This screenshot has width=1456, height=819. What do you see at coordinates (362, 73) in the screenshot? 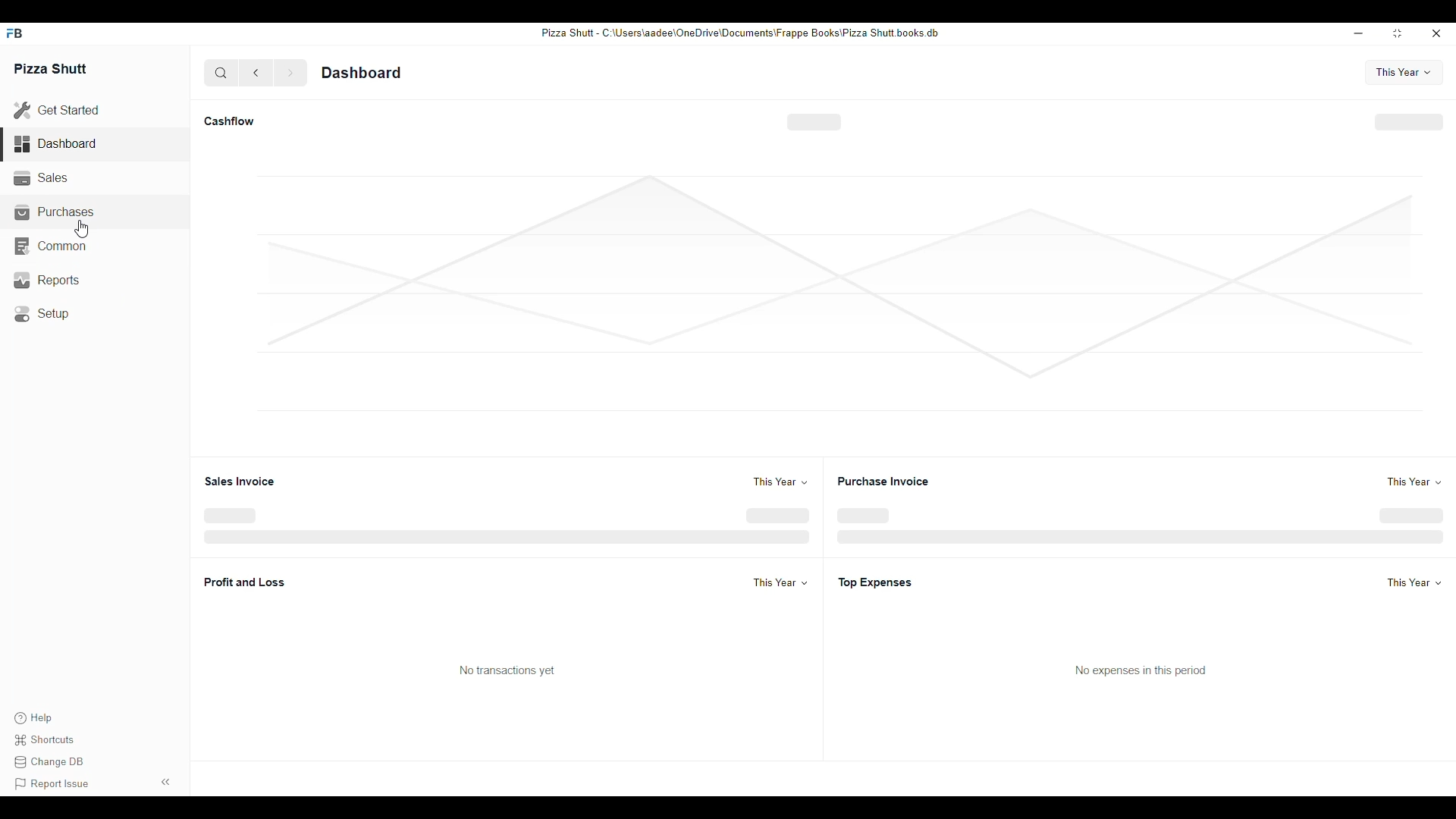
I see `Dashboard` at bounding box center [362, 73].